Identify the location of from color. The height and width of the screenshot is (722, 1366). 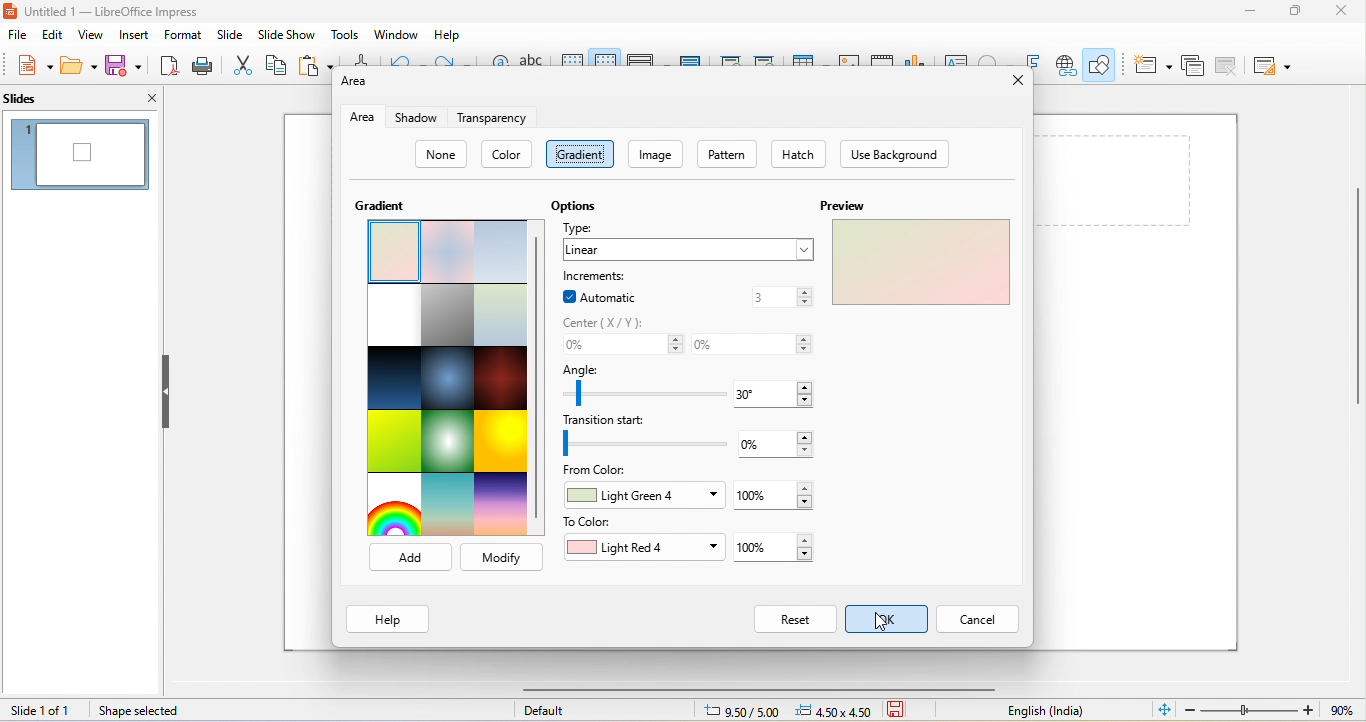
(601, 471).